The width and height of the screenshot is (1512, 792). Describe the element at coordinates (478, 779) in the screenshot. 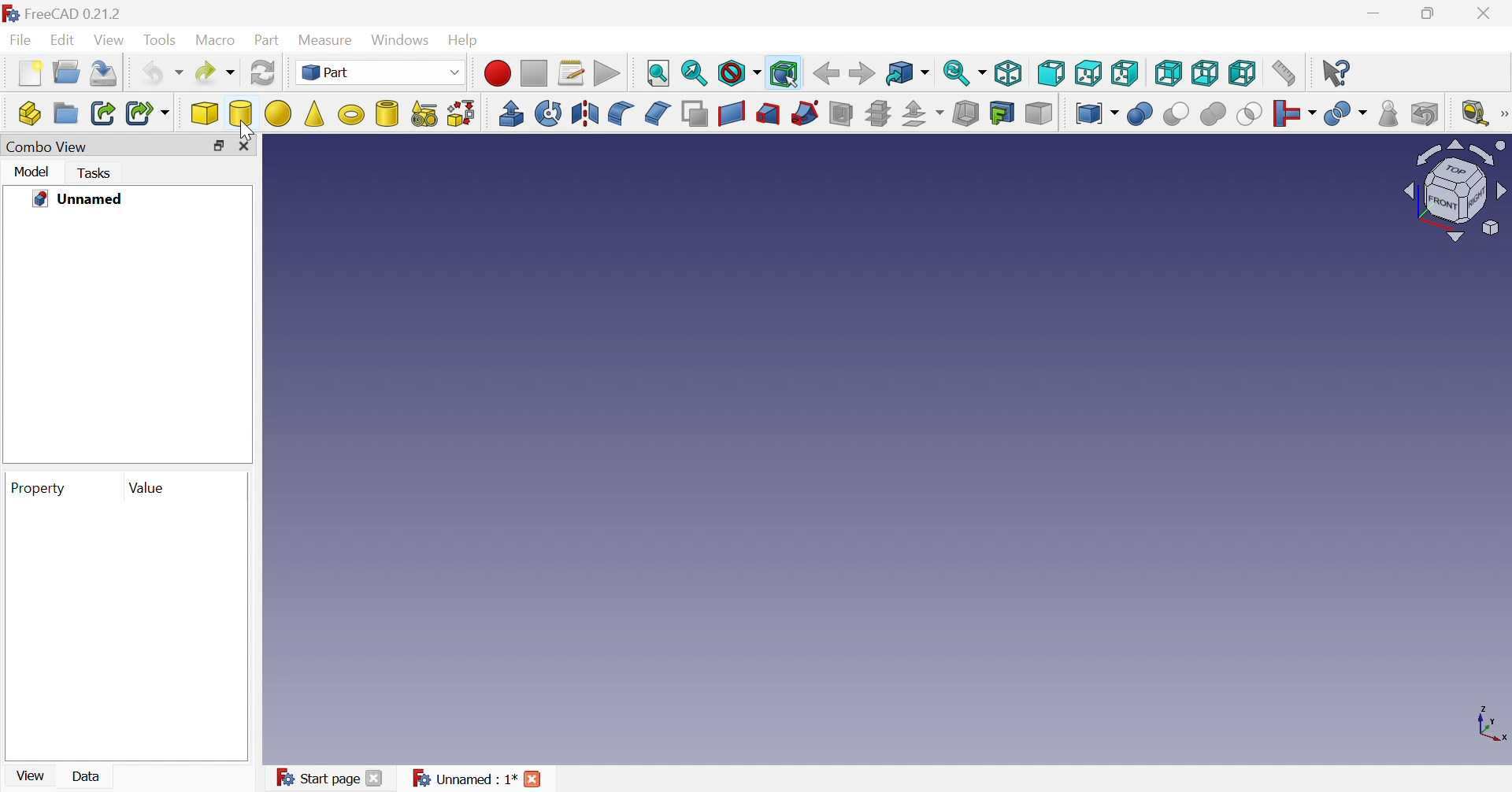

I see `Unnamed : 1*` at that location.